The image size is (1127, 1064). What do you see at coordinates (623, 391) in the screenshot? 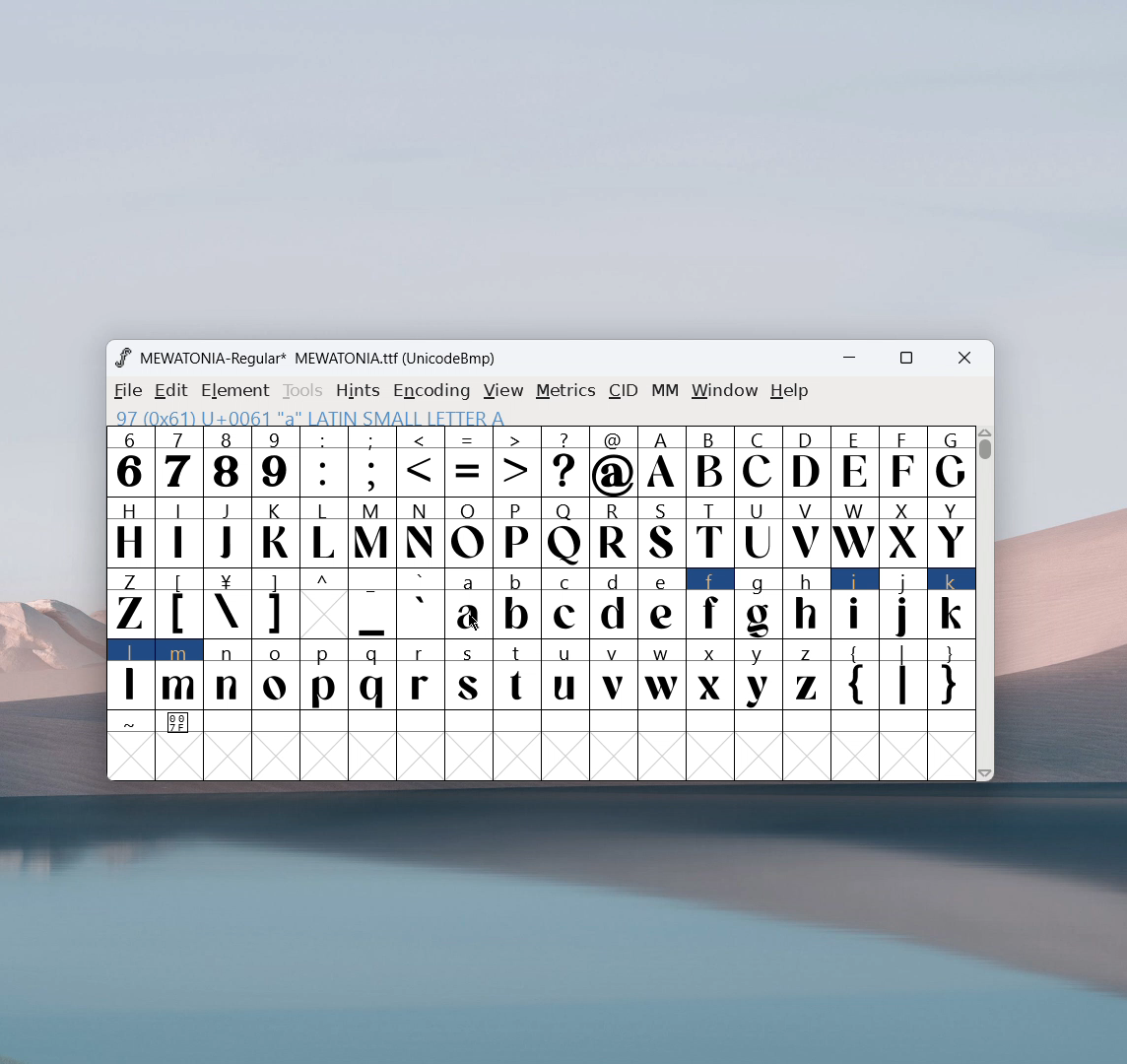
I see `cid` at bounding box center [623, 391].